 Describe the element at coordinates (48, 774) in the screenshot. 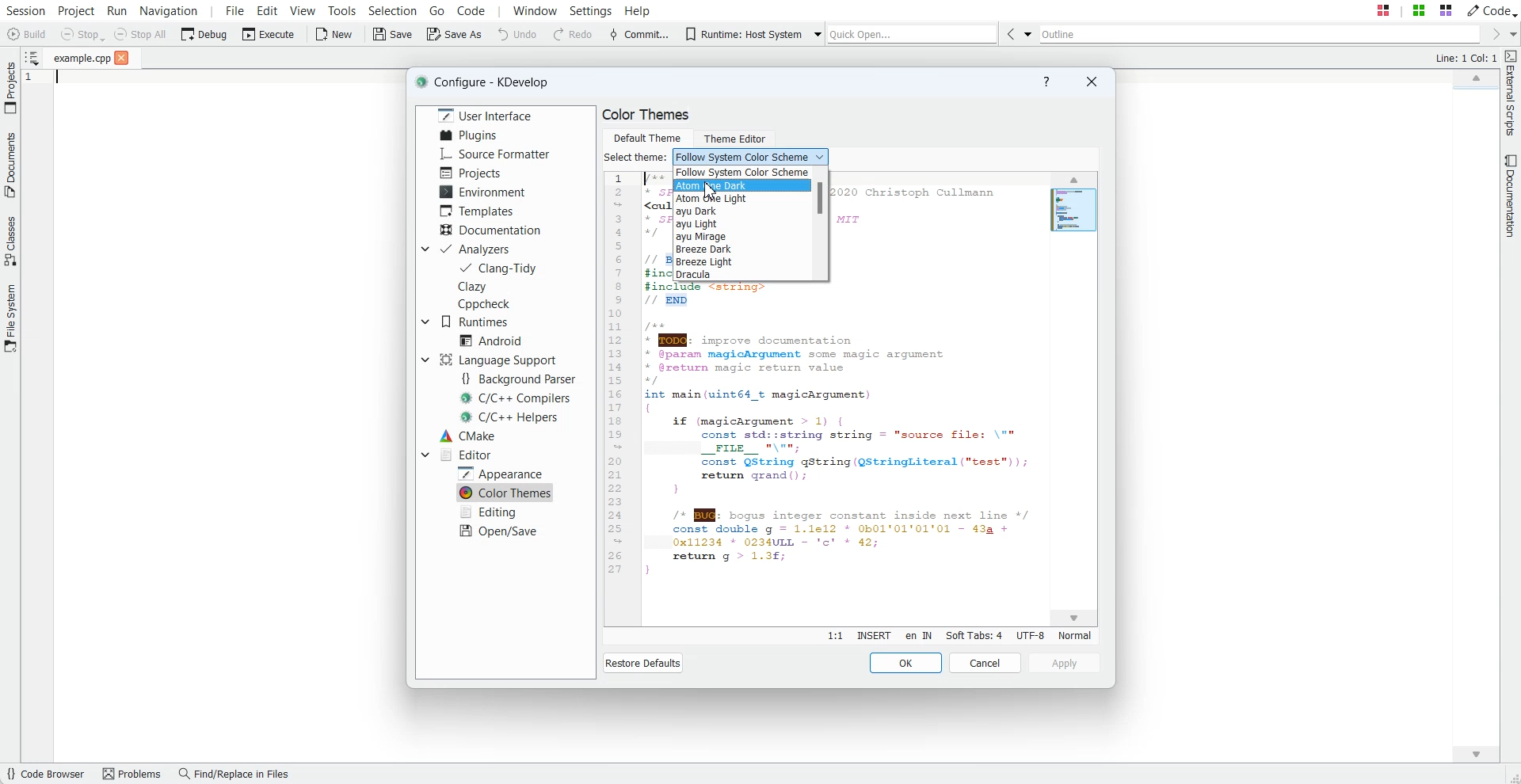

I see `Code Browser` at that location.